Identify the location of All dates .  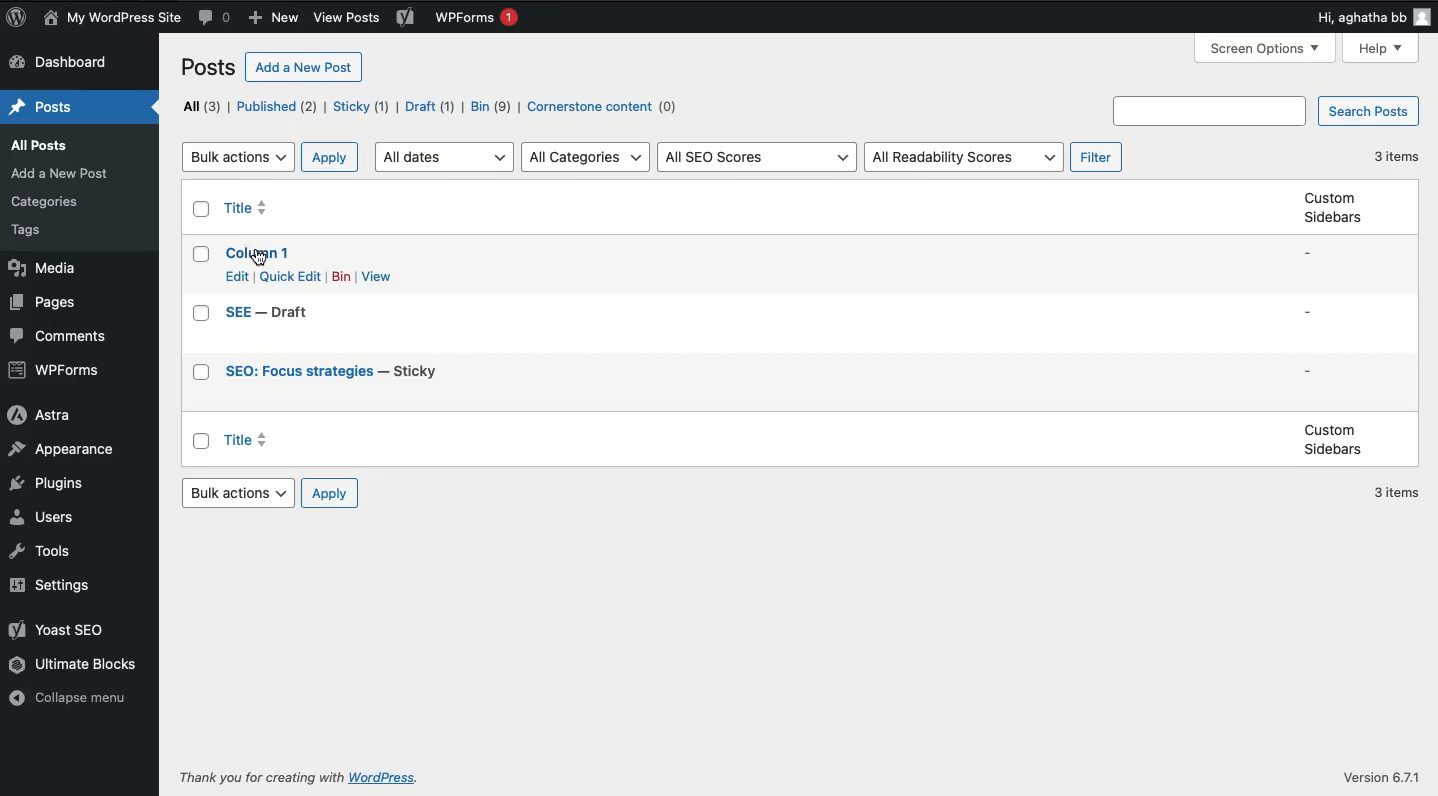
(440, 157).